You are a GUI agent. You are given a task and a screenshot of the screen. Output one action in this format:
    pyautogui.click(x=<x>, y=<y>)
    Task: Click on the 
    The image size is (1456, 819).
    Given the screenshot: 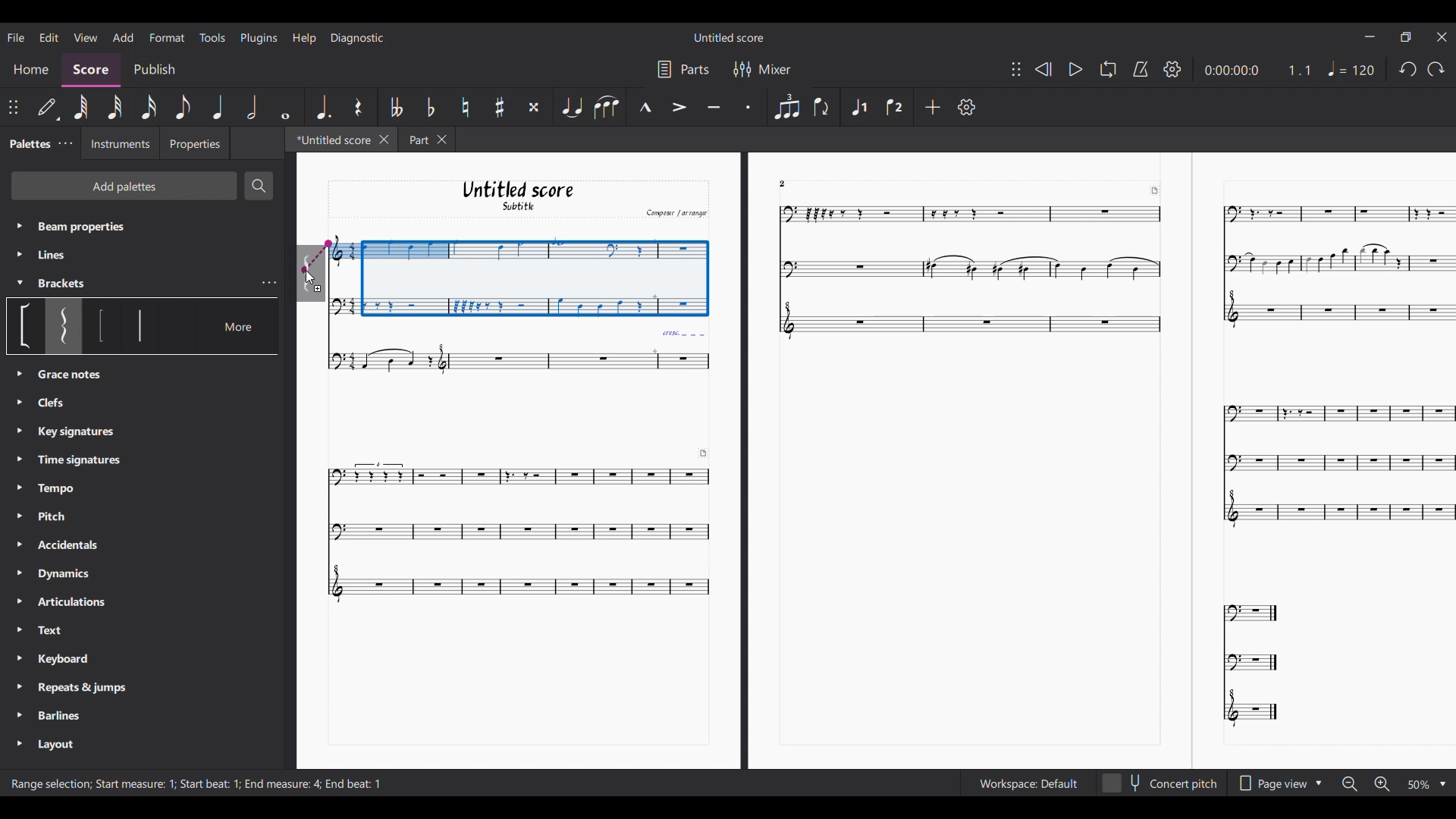 What is the action you would take?
    pyautogui.click(x=16, y=485)
    